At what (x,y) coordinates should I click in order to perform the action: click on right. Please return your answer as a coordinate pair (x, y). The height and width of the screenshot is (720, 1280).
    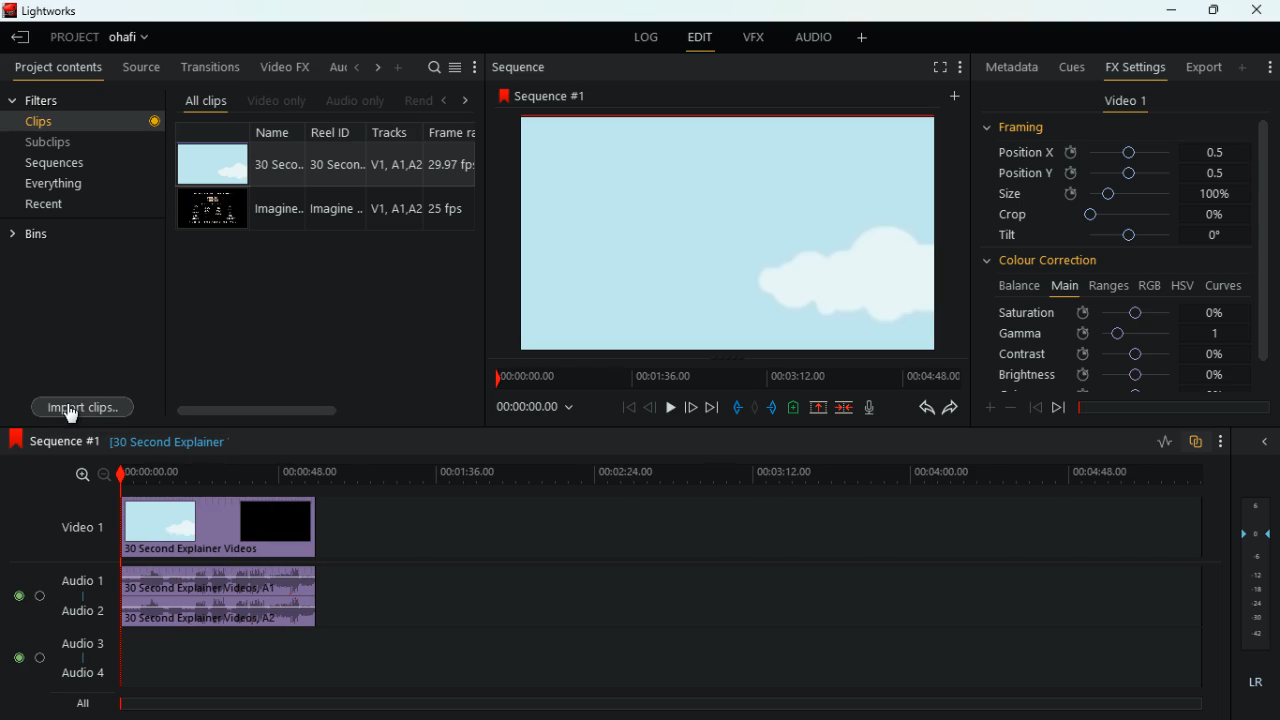
    Looking at the image, I should click on (465, 100).